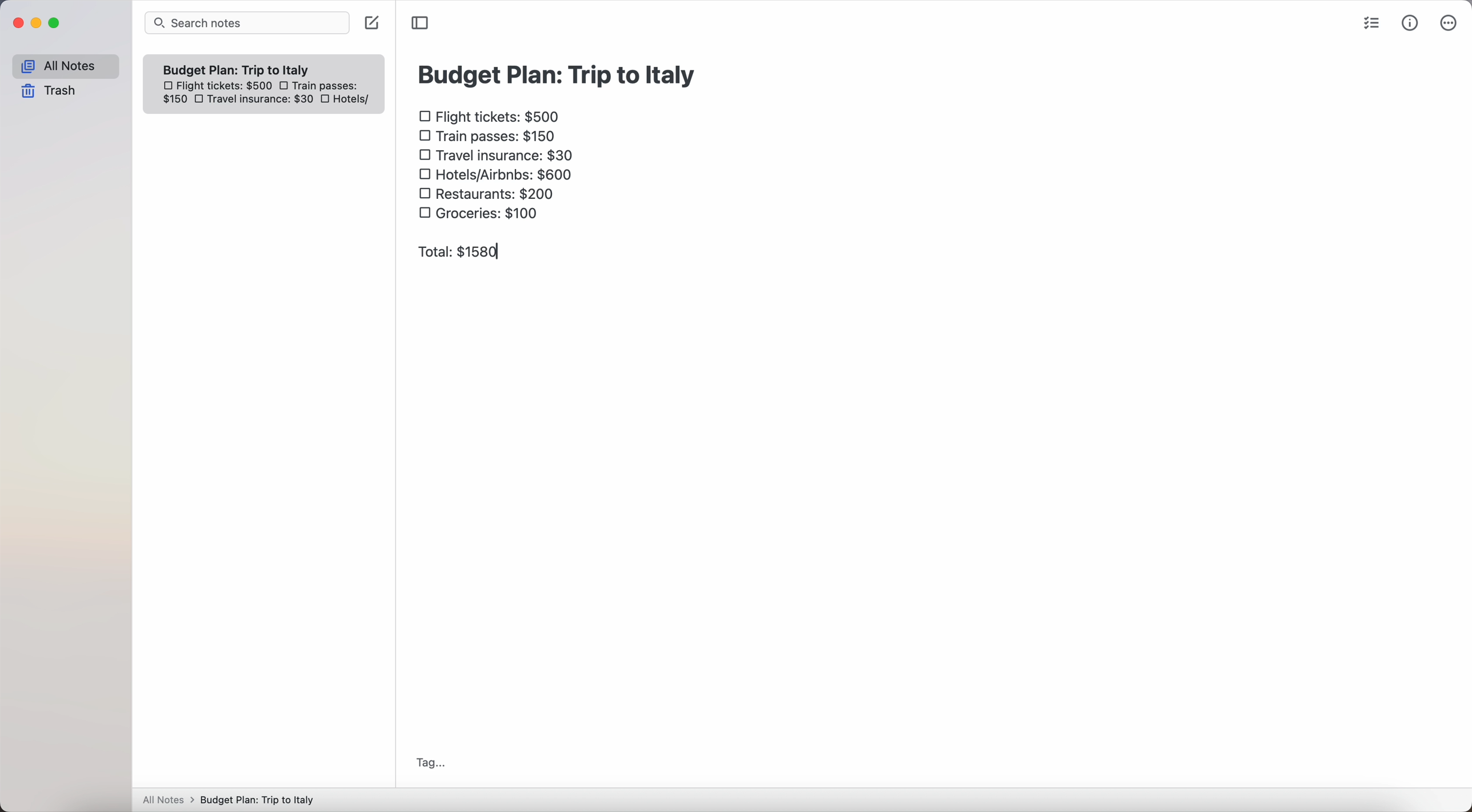  I want to click on metrics, so click(1410, 25).